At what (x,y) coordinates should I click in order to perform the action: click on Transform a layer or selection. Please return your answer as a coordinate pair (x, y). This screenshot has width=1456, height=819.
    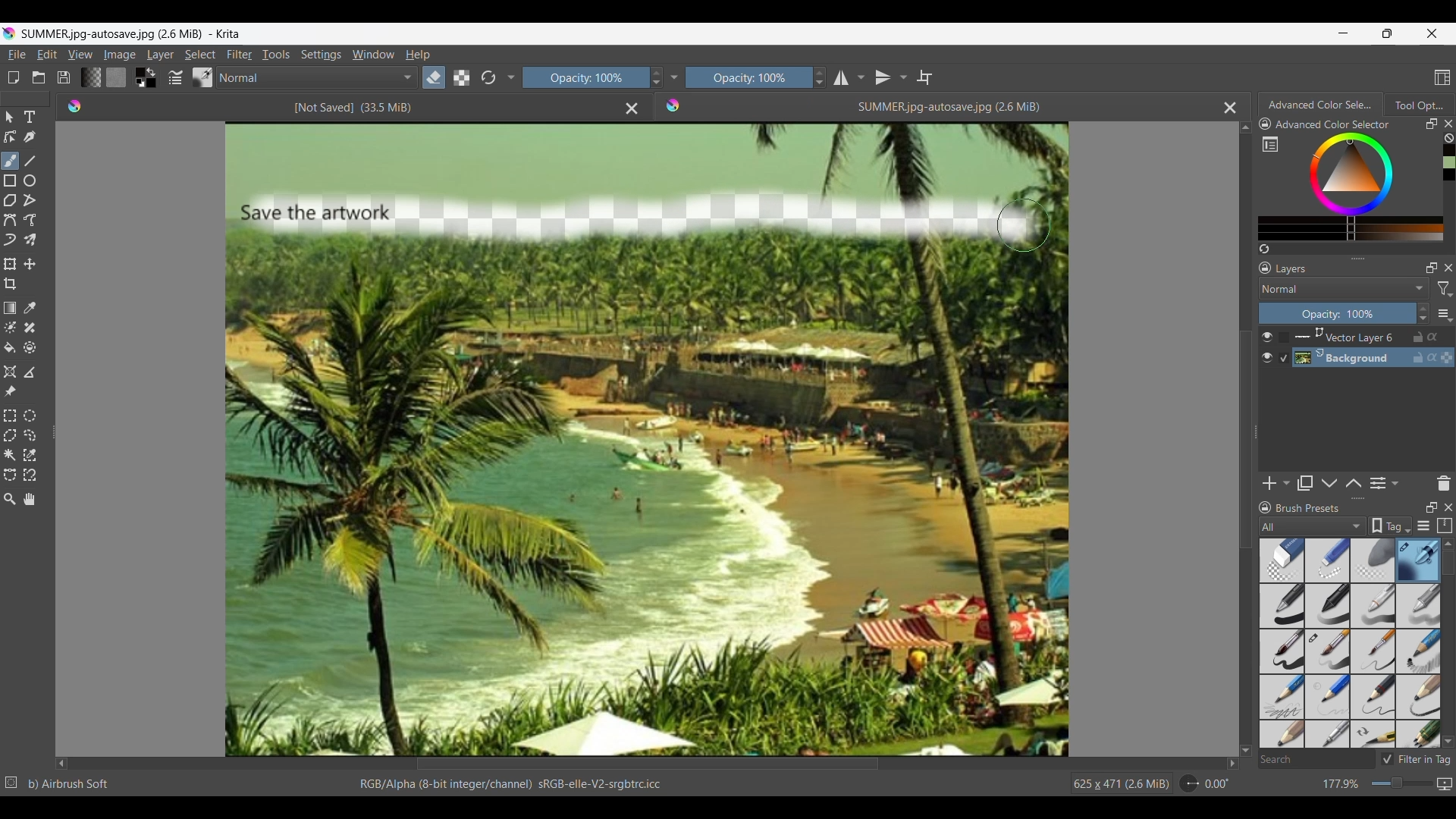
    Looking at the image, I should click on (11, 264).